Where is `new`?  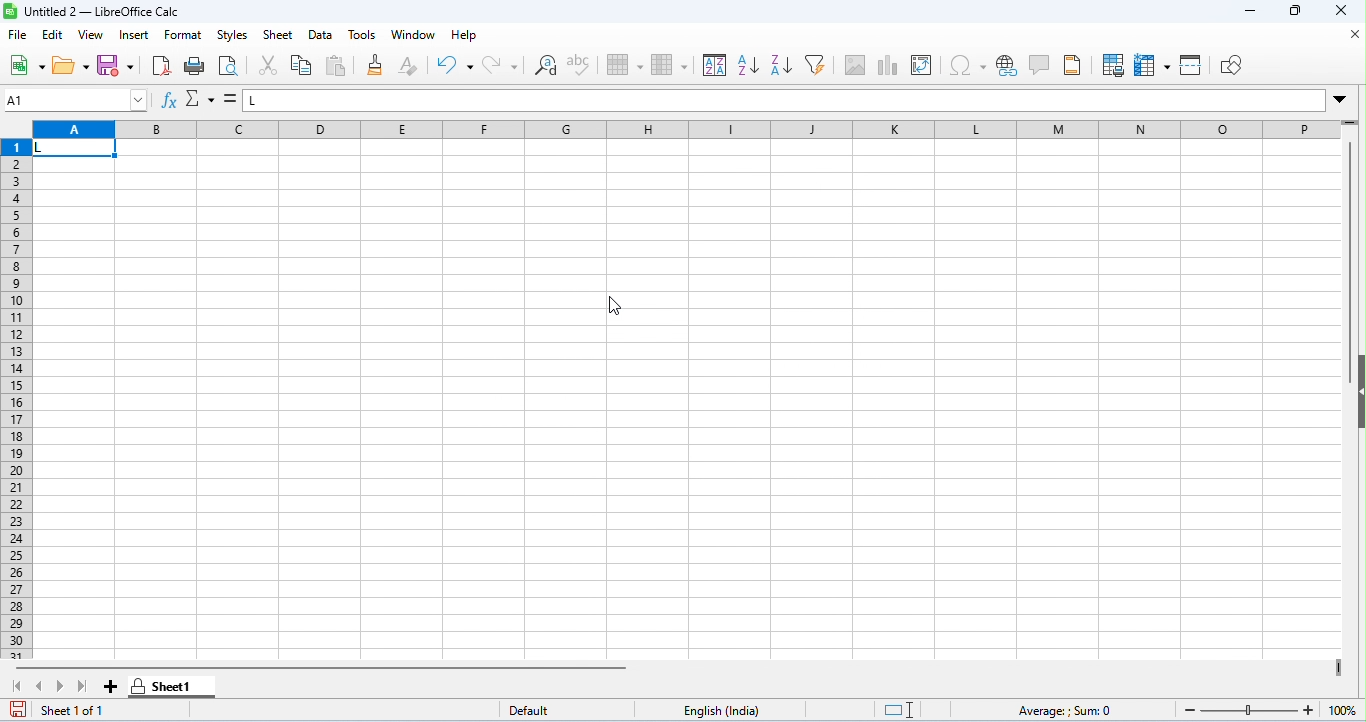 new is located at coordinates (27, 67).